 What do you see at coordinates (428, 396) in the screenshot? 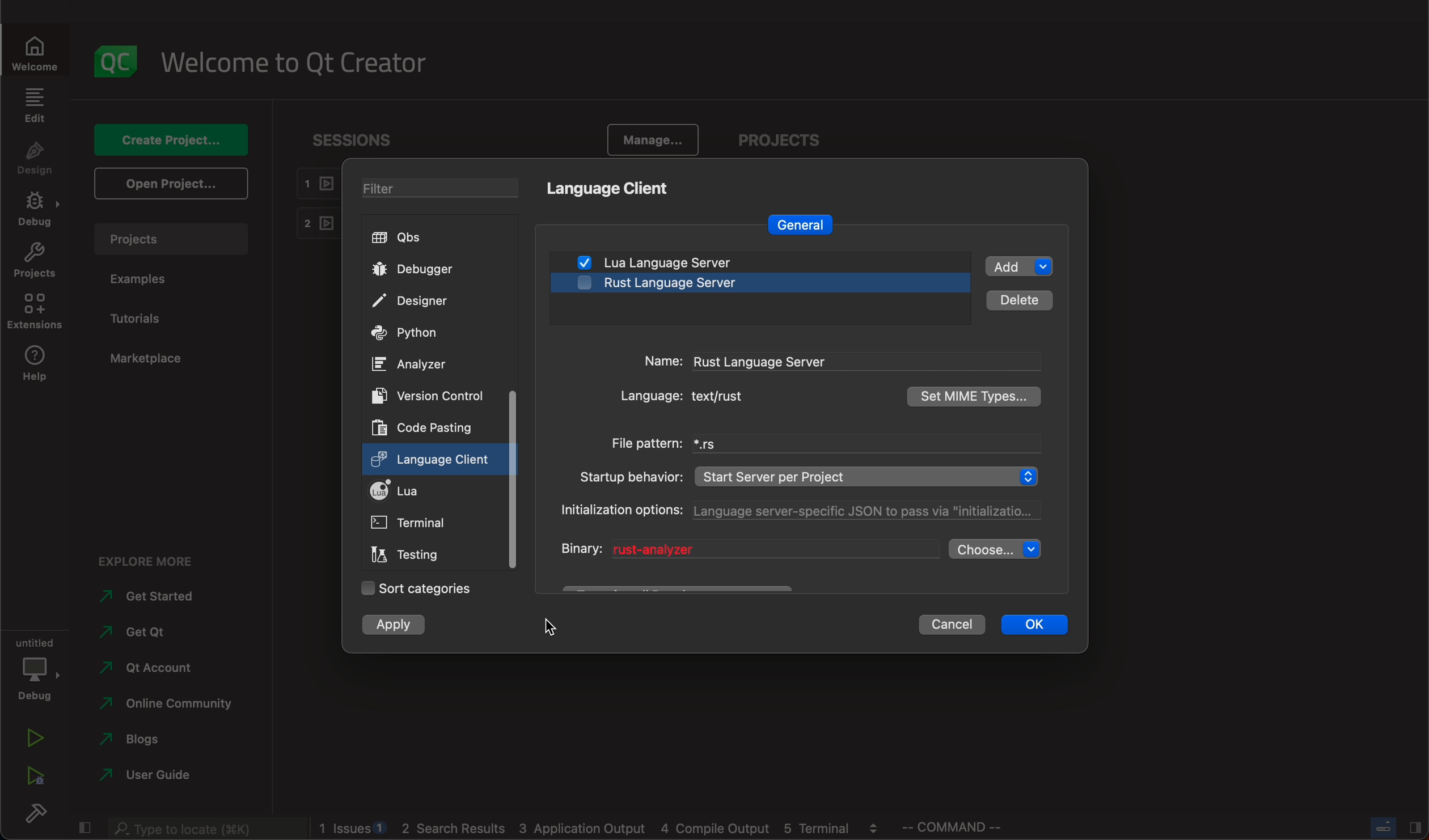
I see `version` at bounding box center [428, 396].